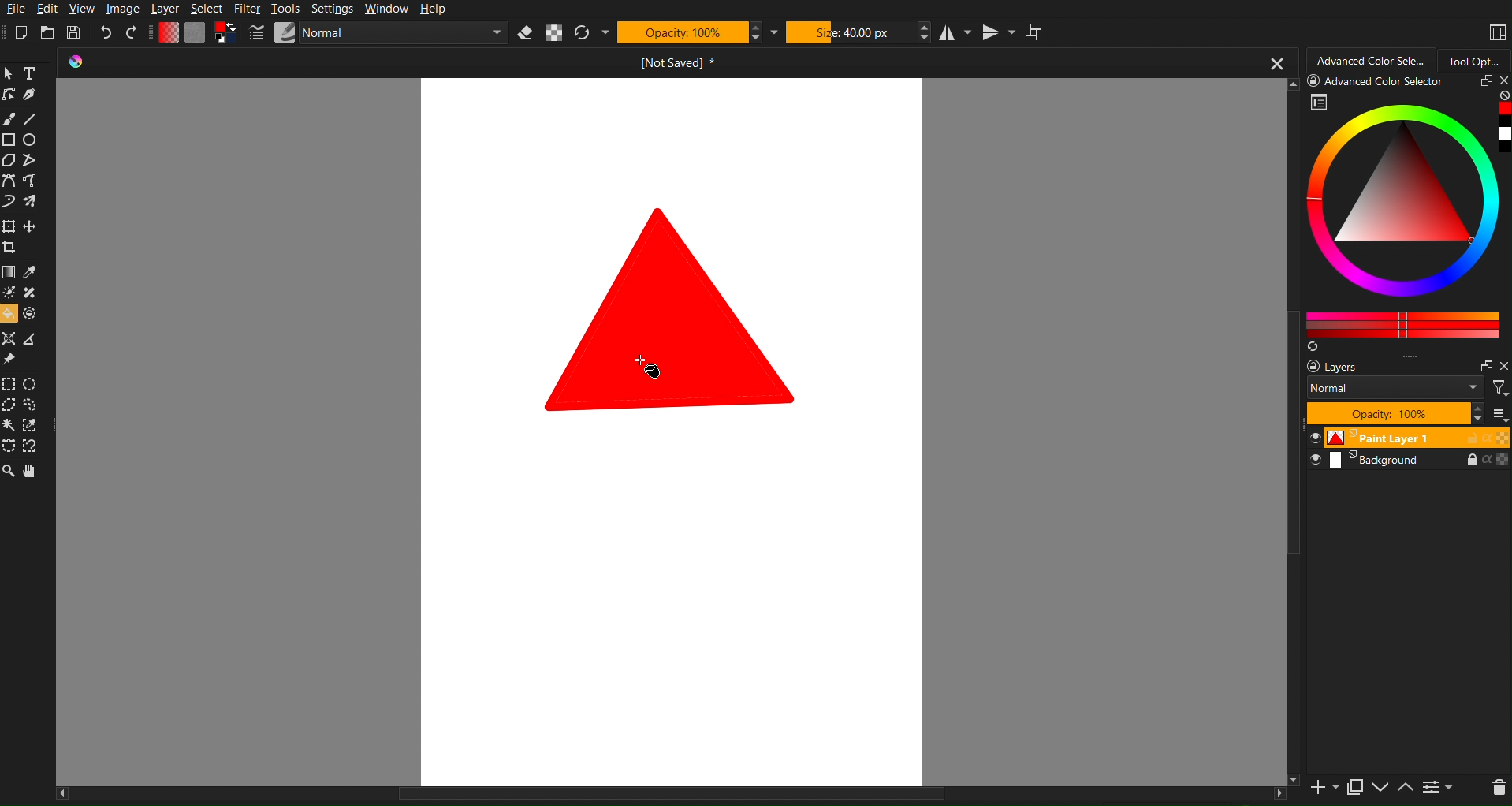 This screenshot has height=806, width=1512. What do you see at coordinates (1393, 414) in the screenshot?
I see `opacity: 100%` at bounding box center [1393, 414].